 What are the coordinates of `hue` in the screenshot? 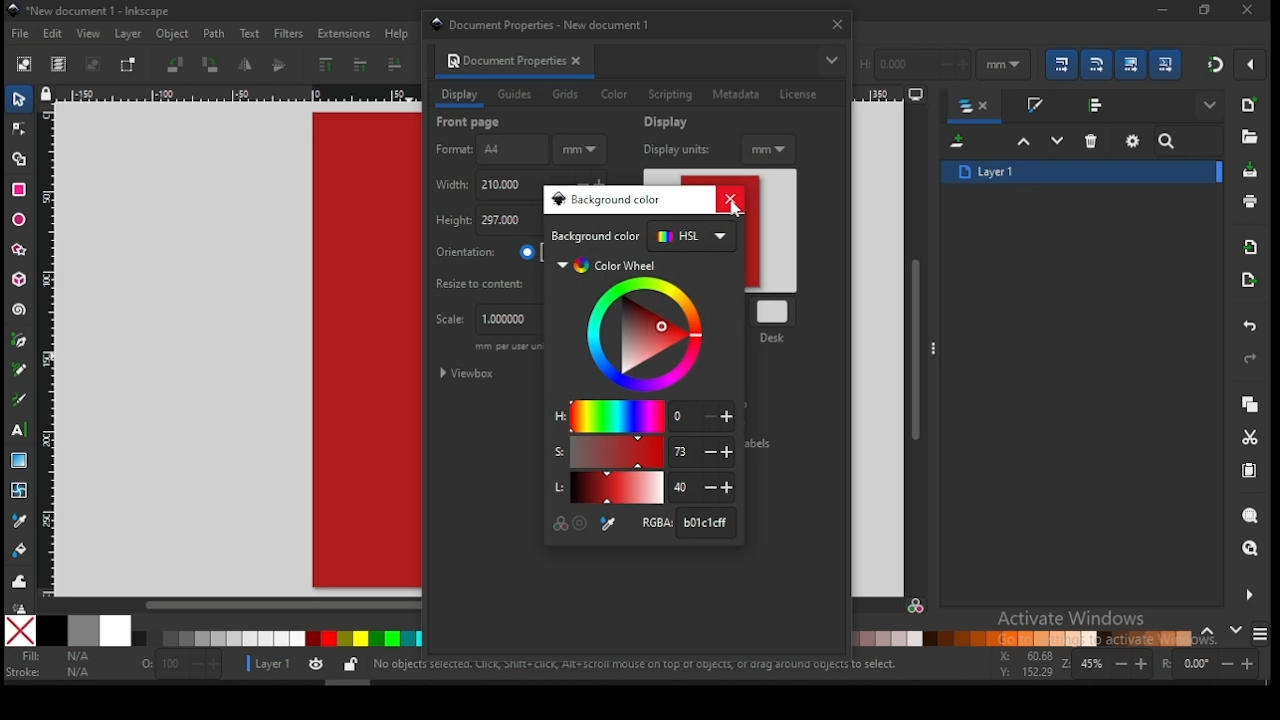 It's located at (643, 415).